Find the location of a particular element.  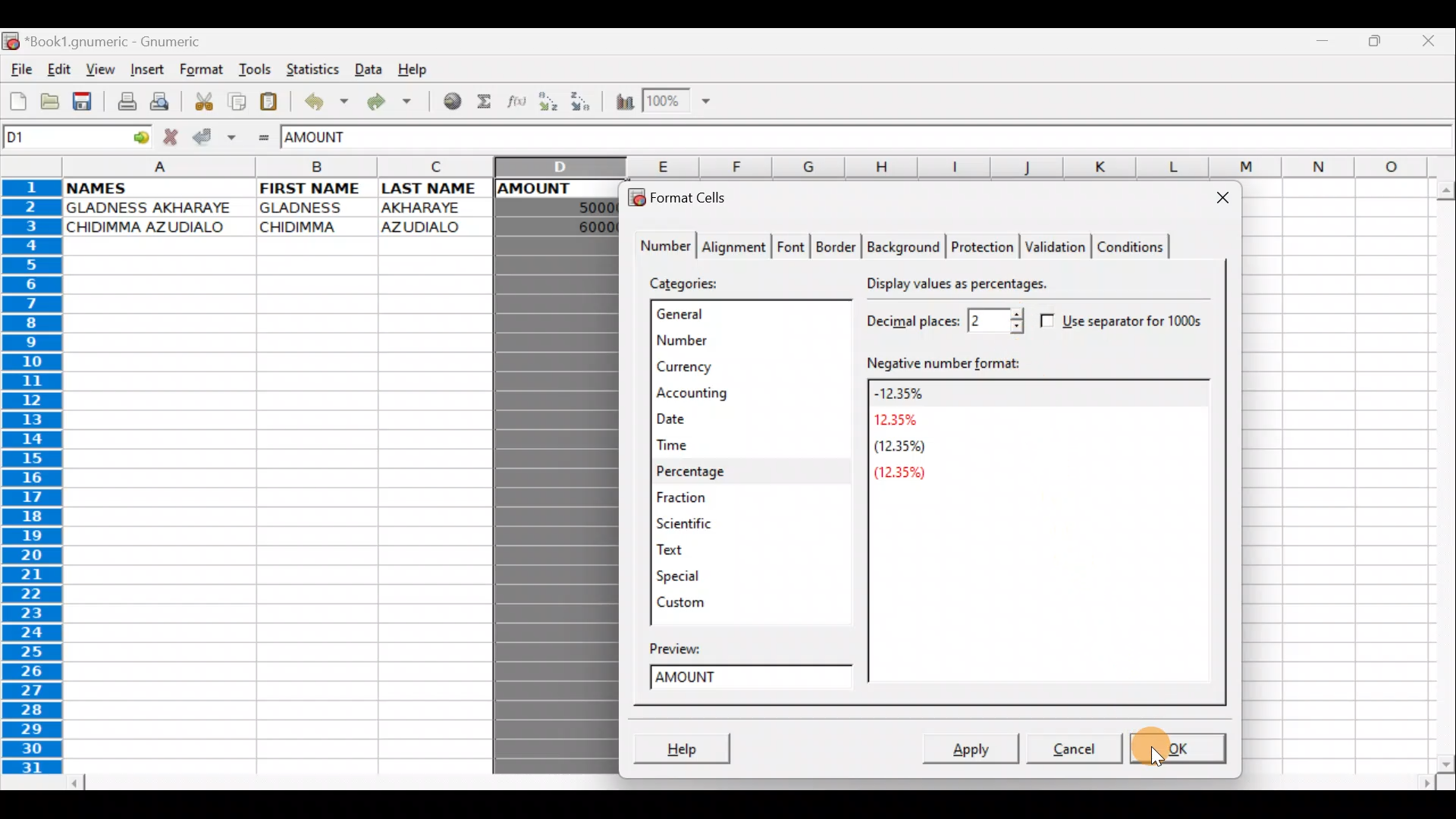

50000 is located at coordinates (576, 206).